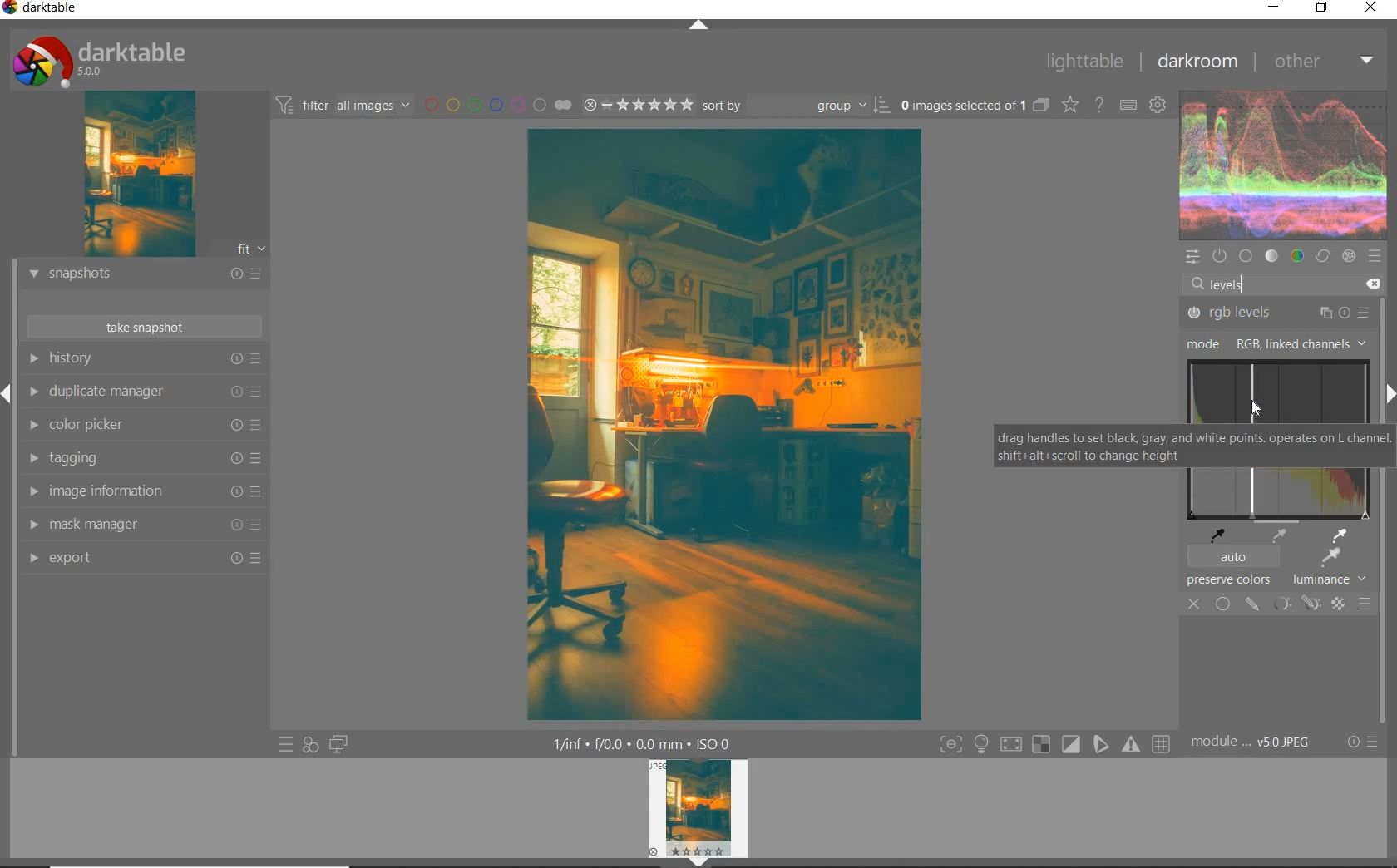 This screenshot has width=1397, height=868. I want to click on lighttable, so click(1085, 63).